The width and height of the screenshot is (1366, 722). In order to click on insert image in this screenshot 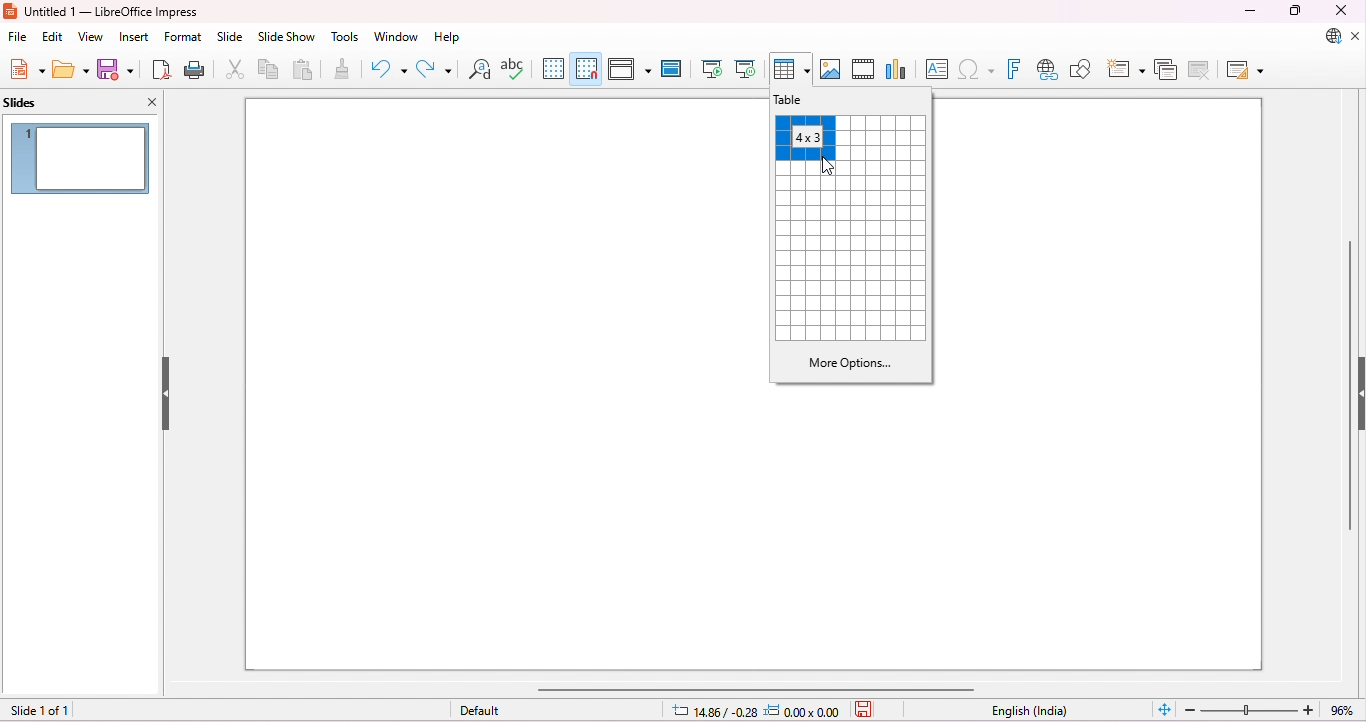, I will do `click(832, 70)`.